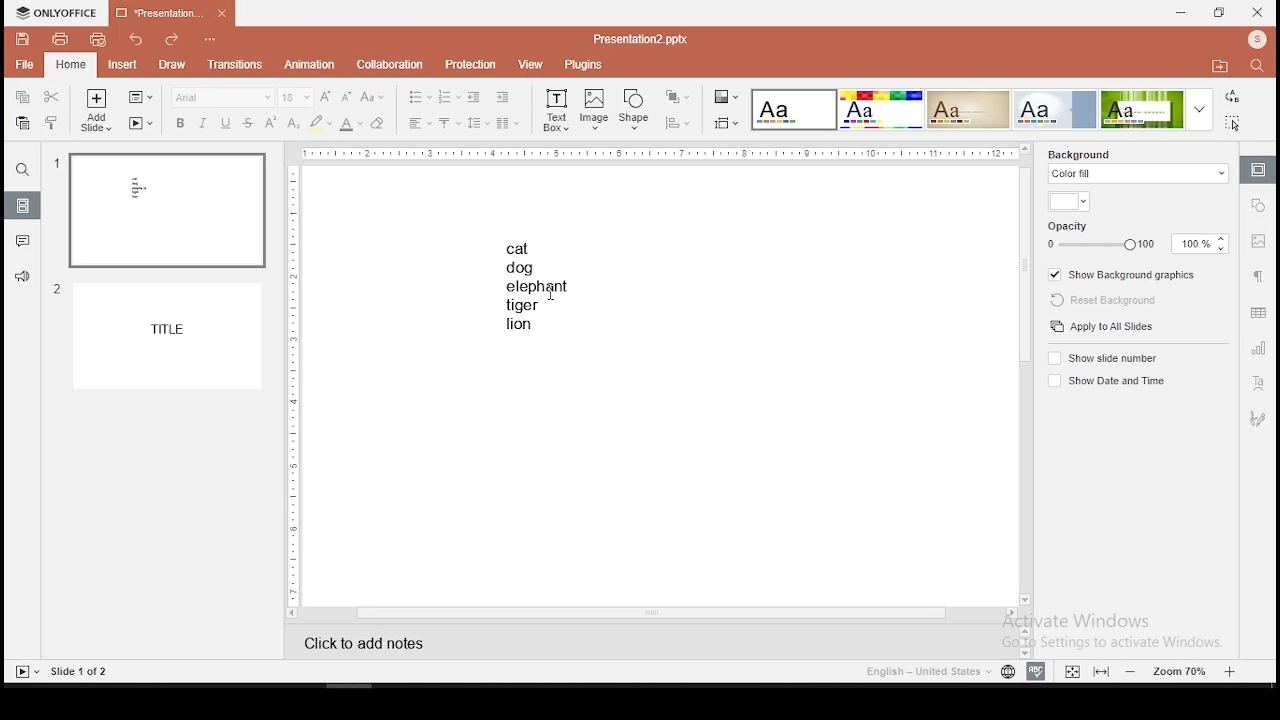 Image resolution: width=1280 pixels, height=720 pixels. What do you see at coordinates (1100, 326) in the screenshot?
I see `apply to all slides` at bounding box center [1100, 326].